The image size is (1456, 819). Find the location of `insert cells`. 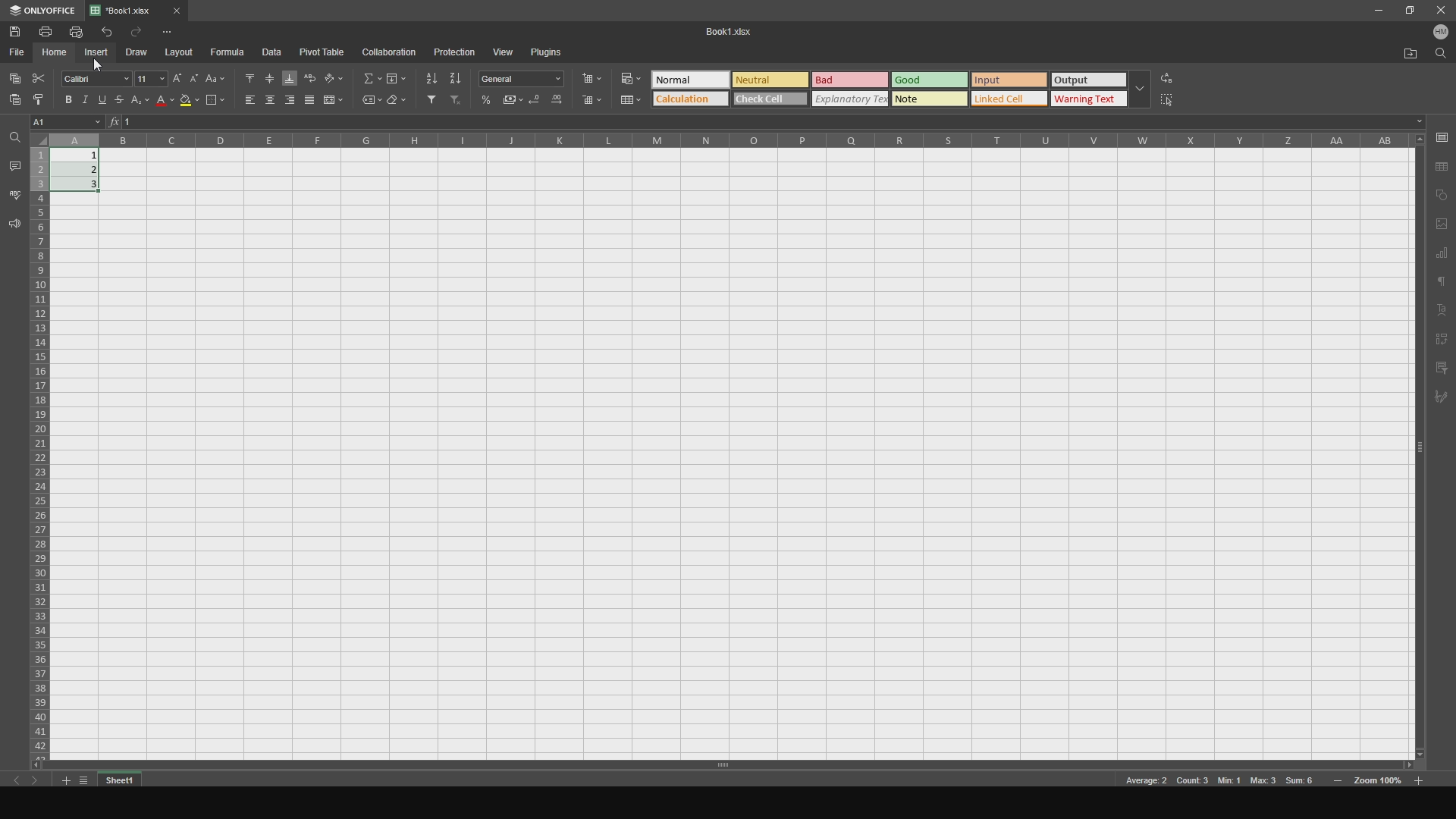

insert cells is located at coordinates (596, 79).